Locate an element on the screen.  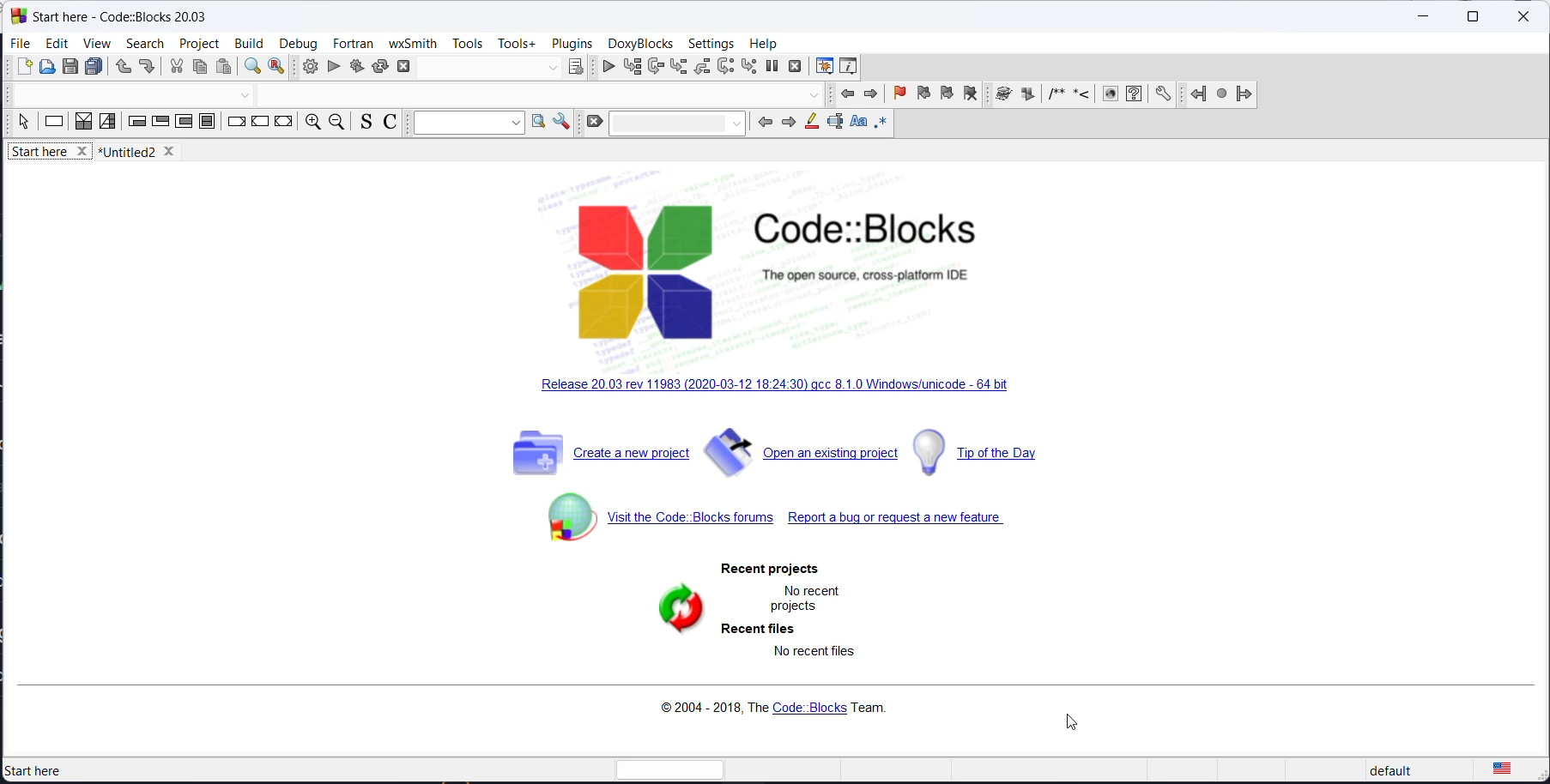
icon is located at coordinates (1027, 95).